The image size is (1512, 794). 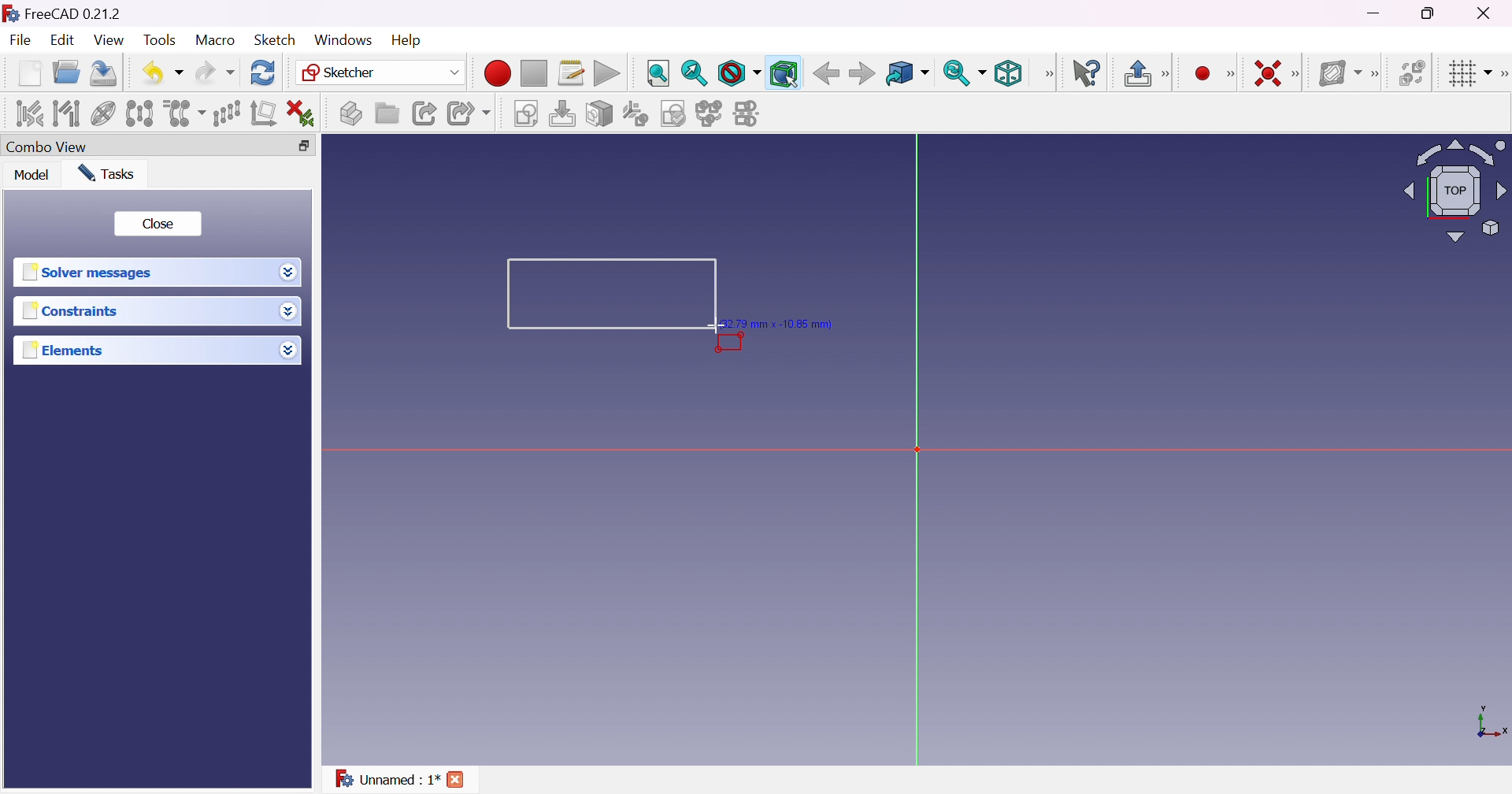 I want to click on Sync view, so click(x=964, y=75).